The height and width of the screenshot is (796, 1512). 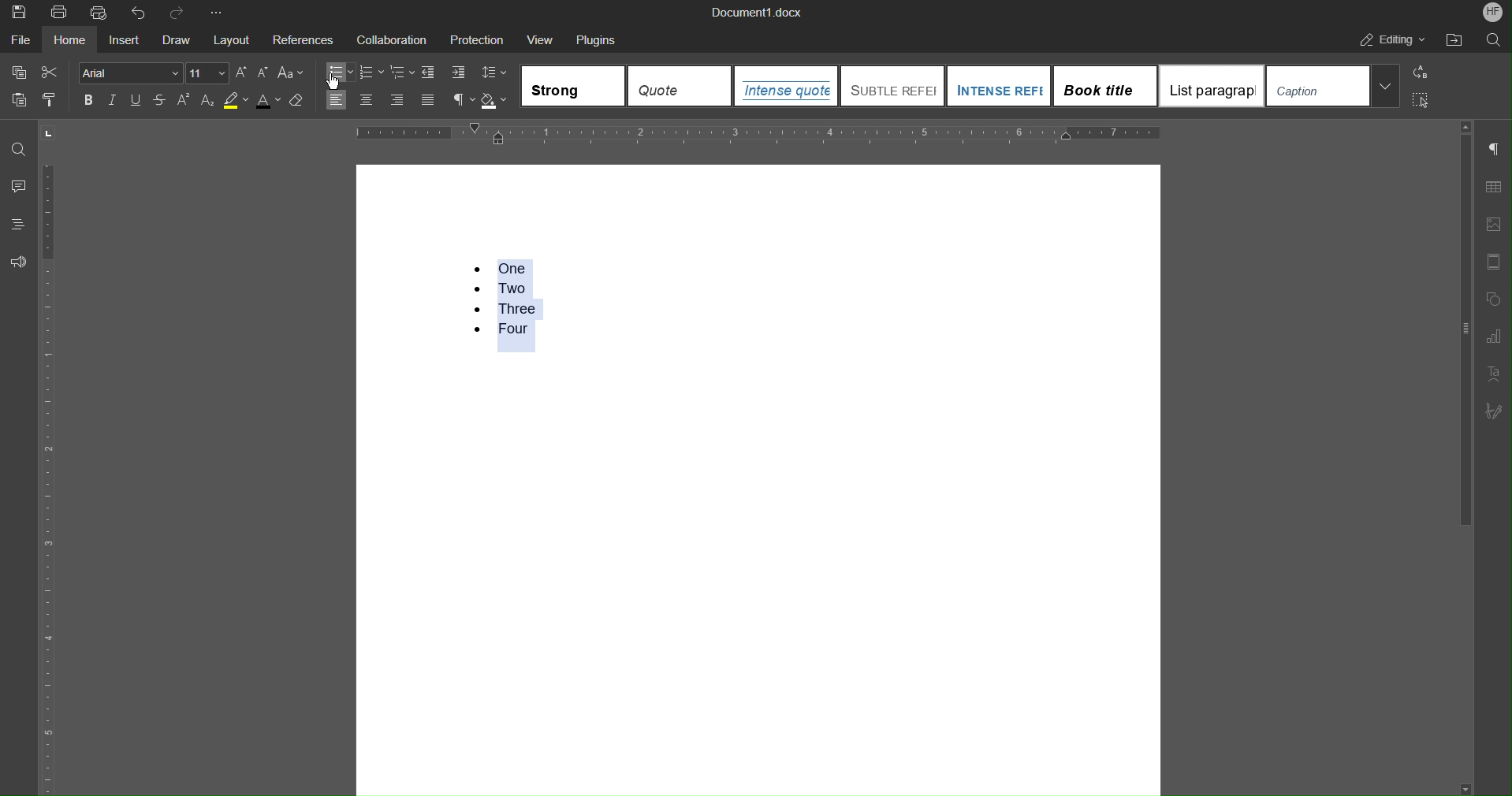 What do you see at coordinates (430, 73) in the screenshot?
I see `Decrease Indent` at bounding box center [430, 73].